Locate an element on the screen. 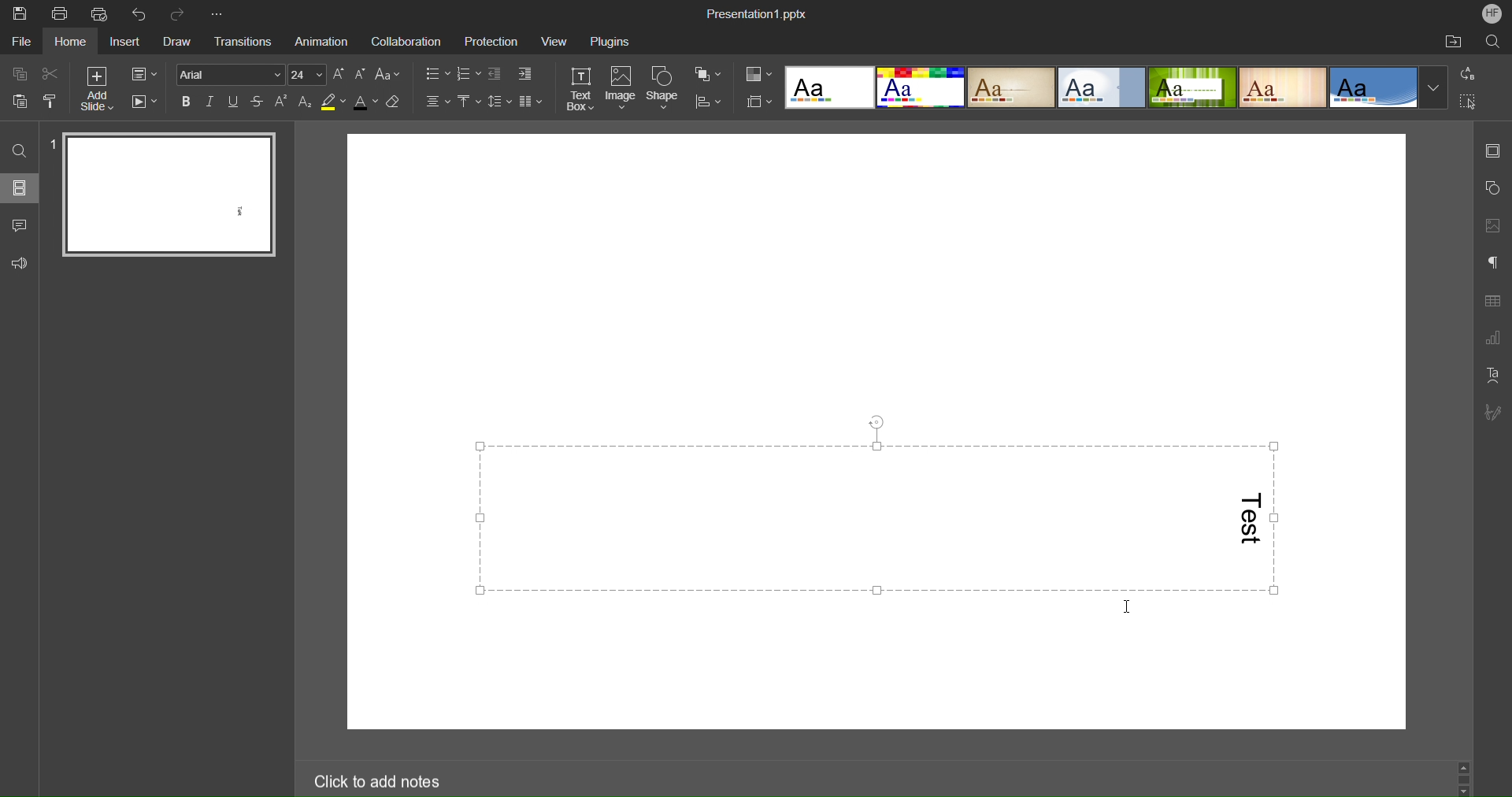 The height and width of the screenshot is (797, 1512). Bullet List is located at coordinates (435, 74).